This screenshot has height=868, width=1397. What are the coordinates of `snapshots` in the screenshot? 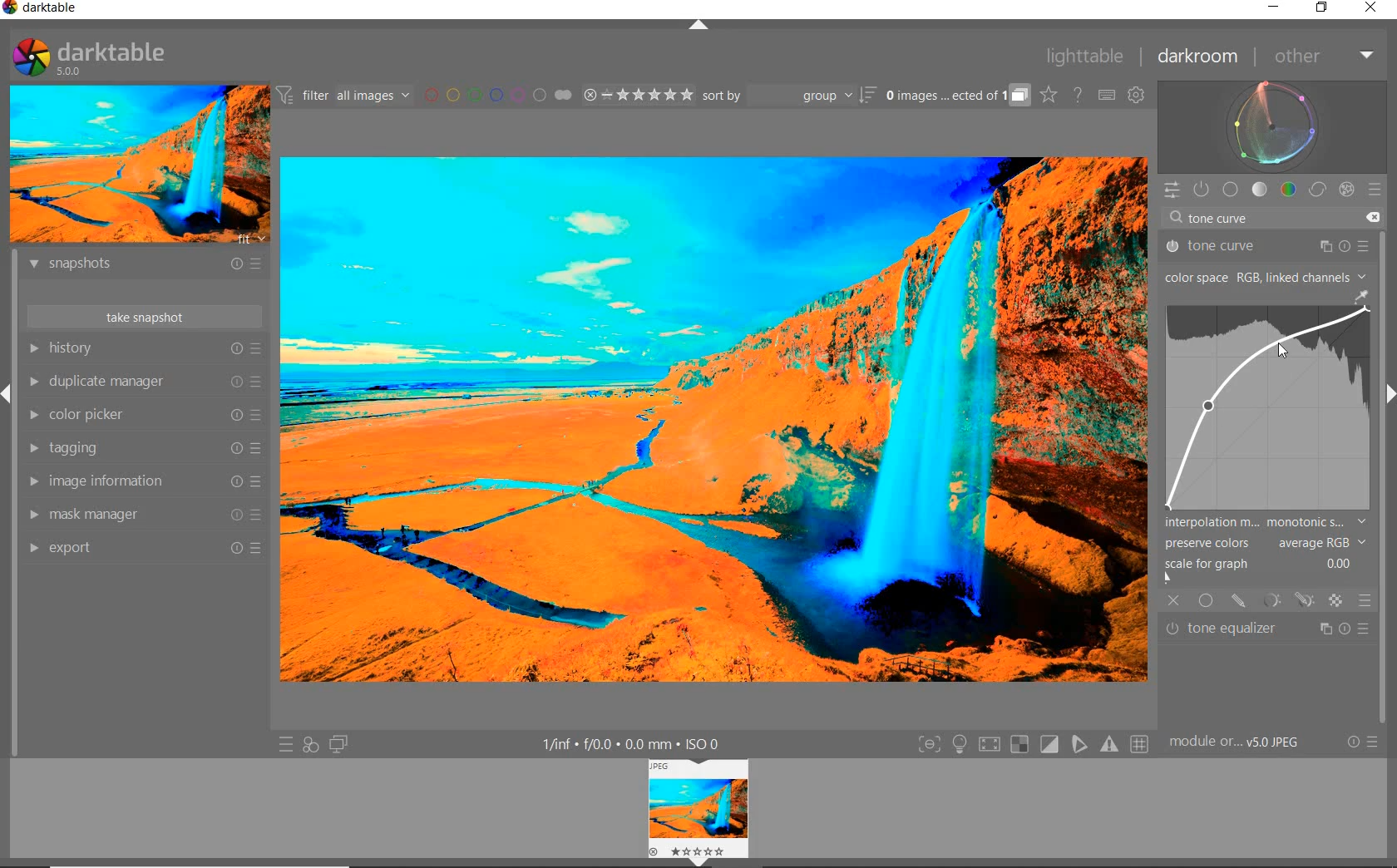 It's located at (149, 266).